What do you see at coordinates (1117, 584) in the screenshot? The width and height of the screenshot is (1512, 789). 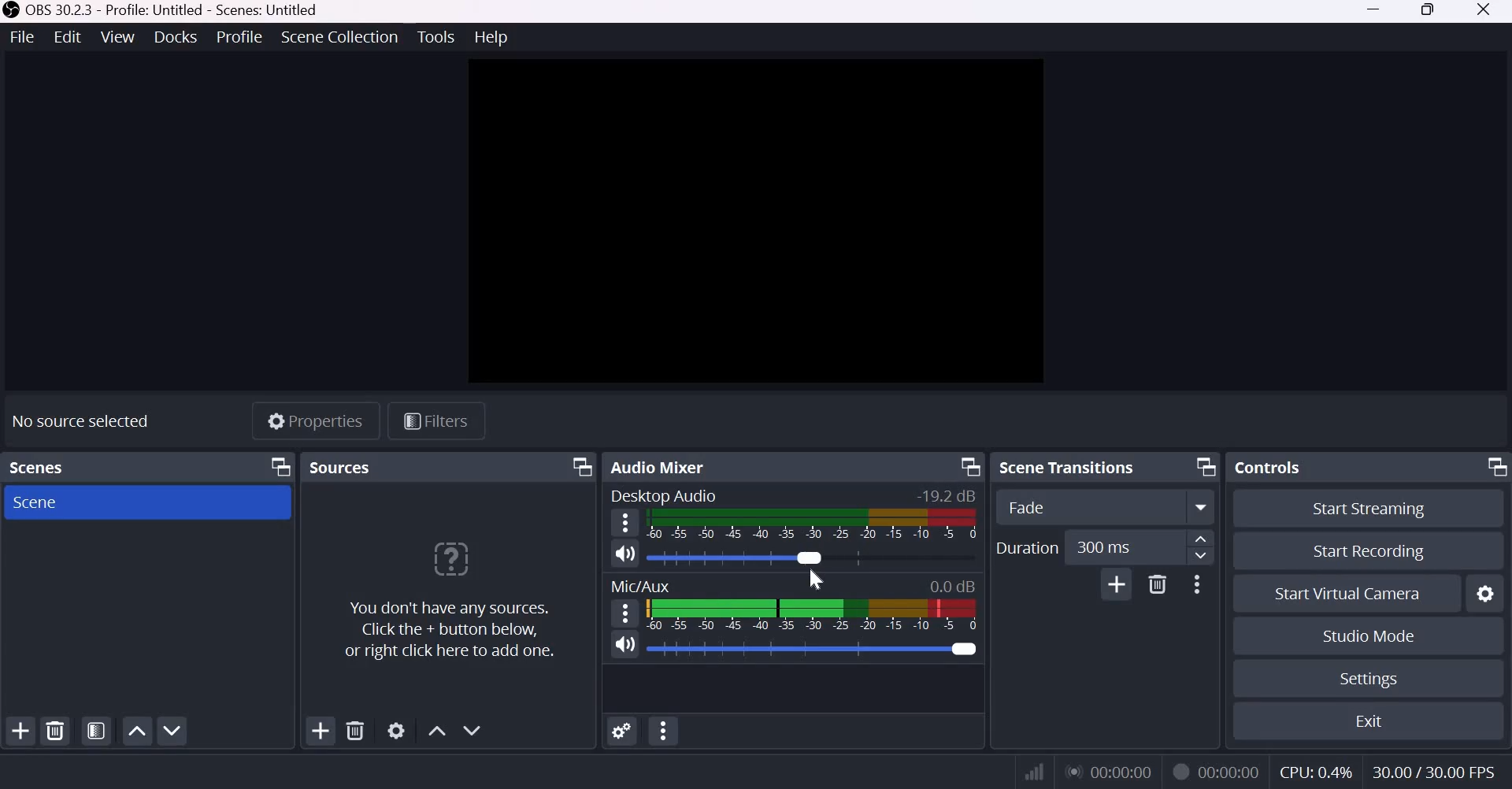 I see `Add Transition` at bounding box center [1117, 584].